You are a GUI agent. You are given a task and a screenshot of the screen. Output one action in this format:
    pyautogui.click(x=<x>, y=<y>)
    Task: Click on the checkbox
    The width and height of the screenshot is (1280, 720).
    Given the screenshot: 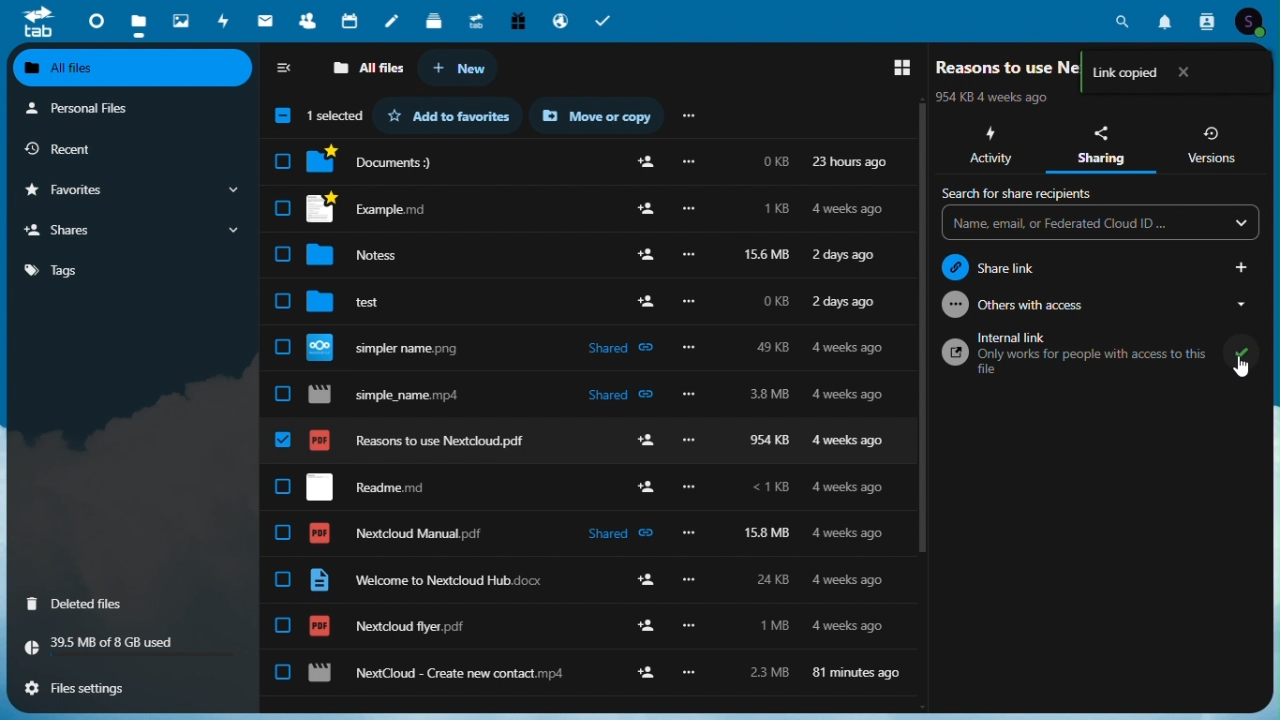 What is the action you would take?
    pyautogui.click(x=283, y=253)
    